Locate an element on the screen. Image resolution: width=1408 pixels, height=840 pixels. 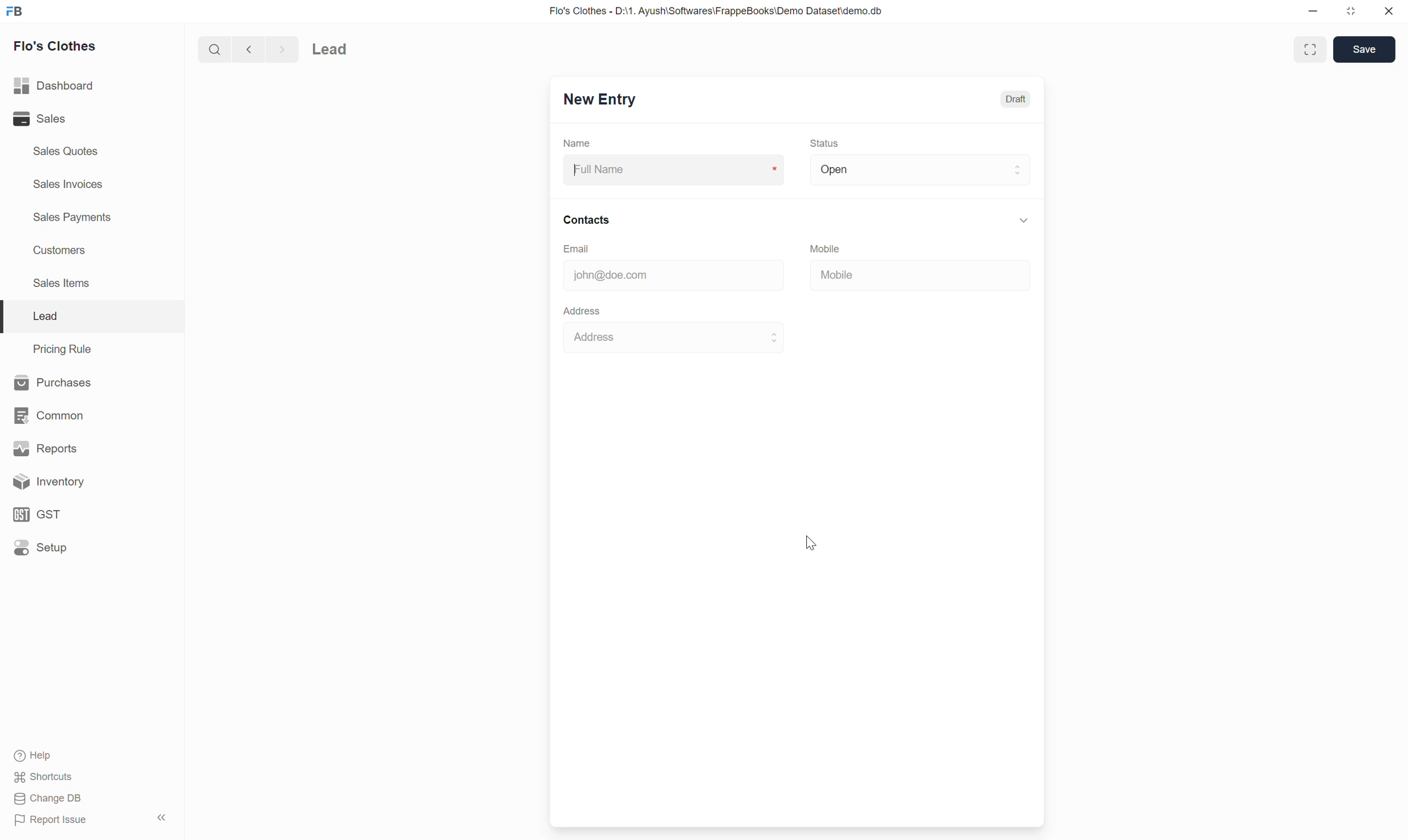
 Change DB is located at coordinates (46, 800).